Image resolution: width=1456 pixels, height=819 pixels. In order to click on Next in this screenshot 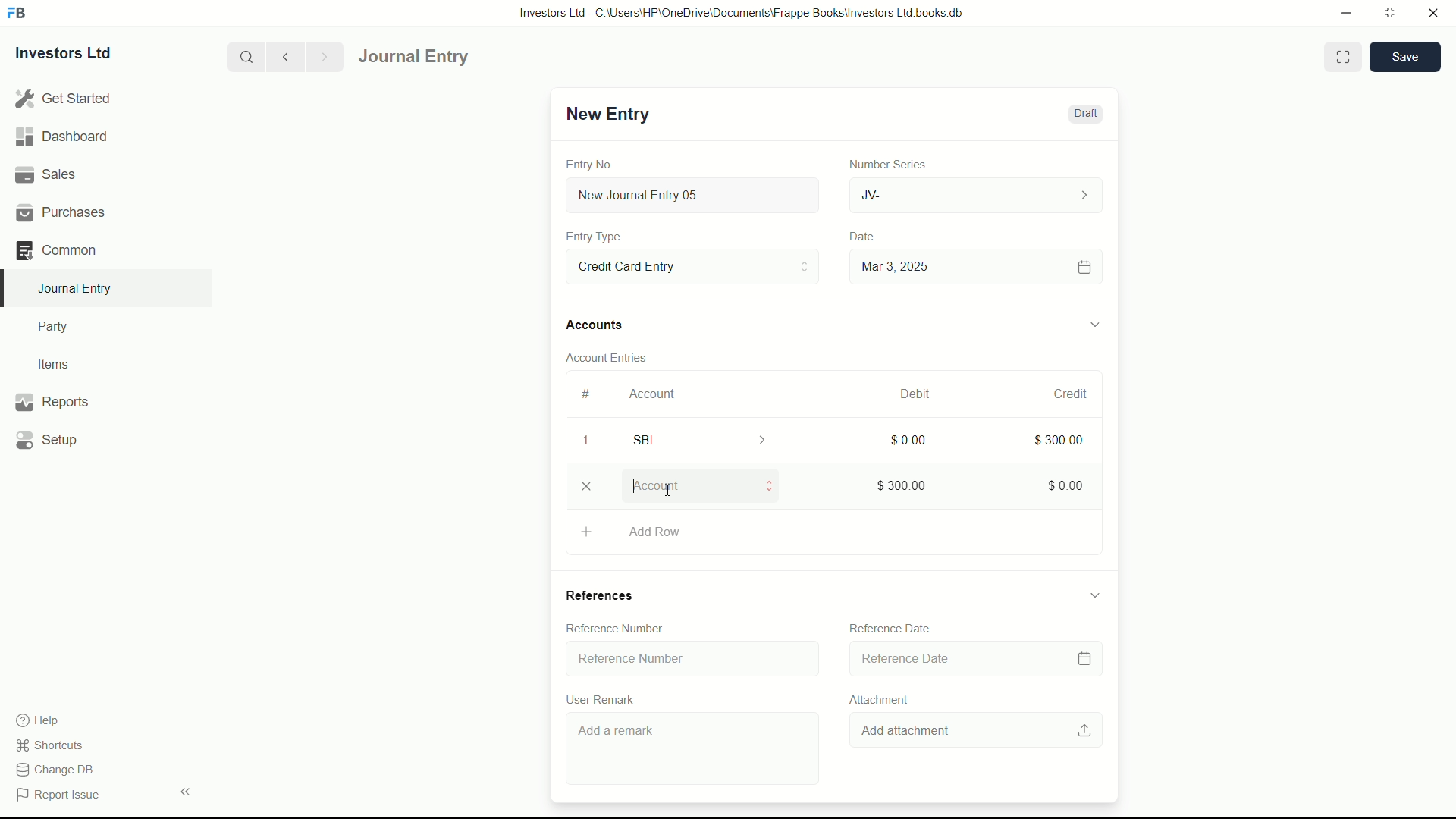, I will do `click(322, 56)`.